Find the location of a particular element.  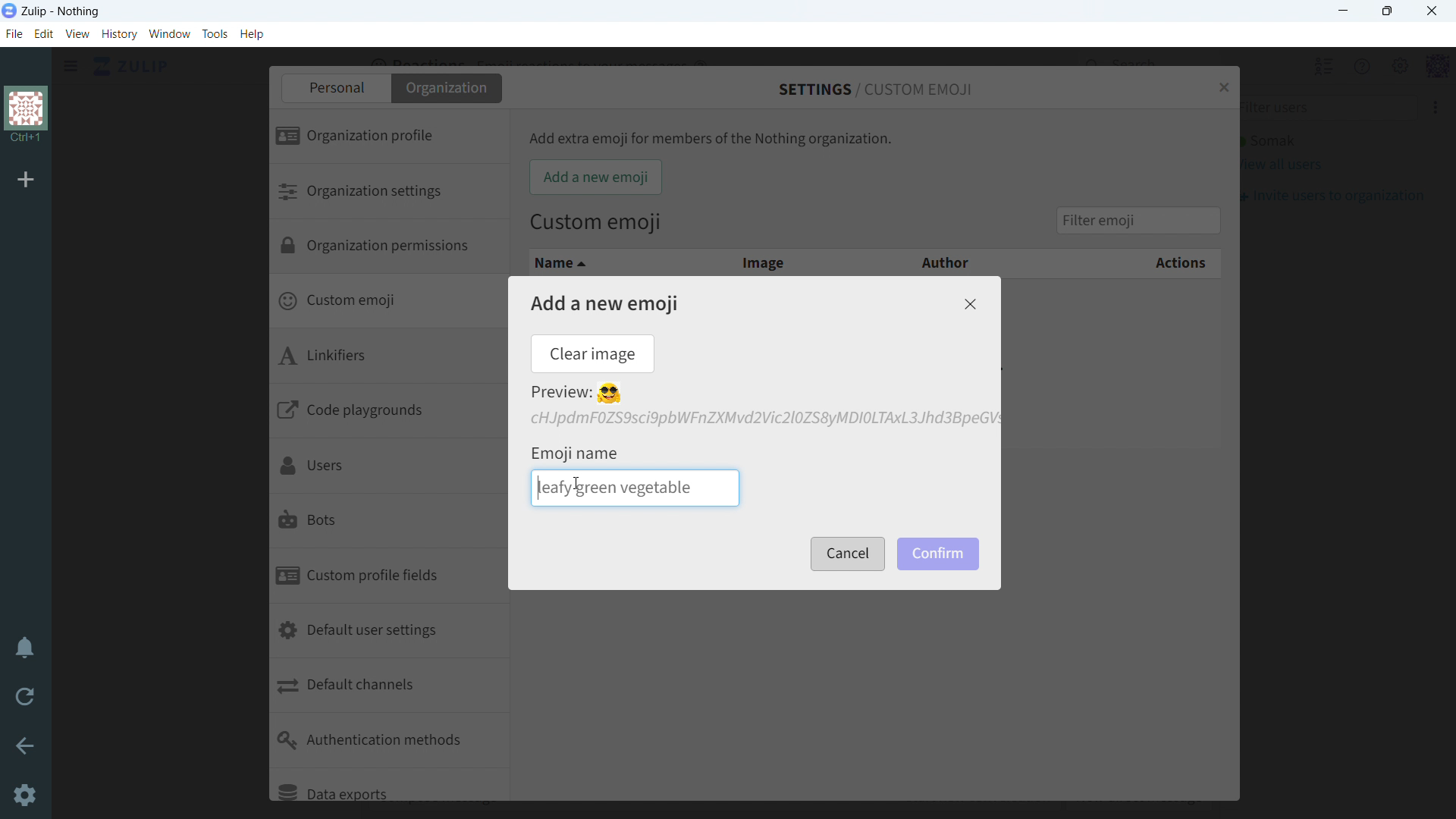

file added is located at coordinates (762, 419).